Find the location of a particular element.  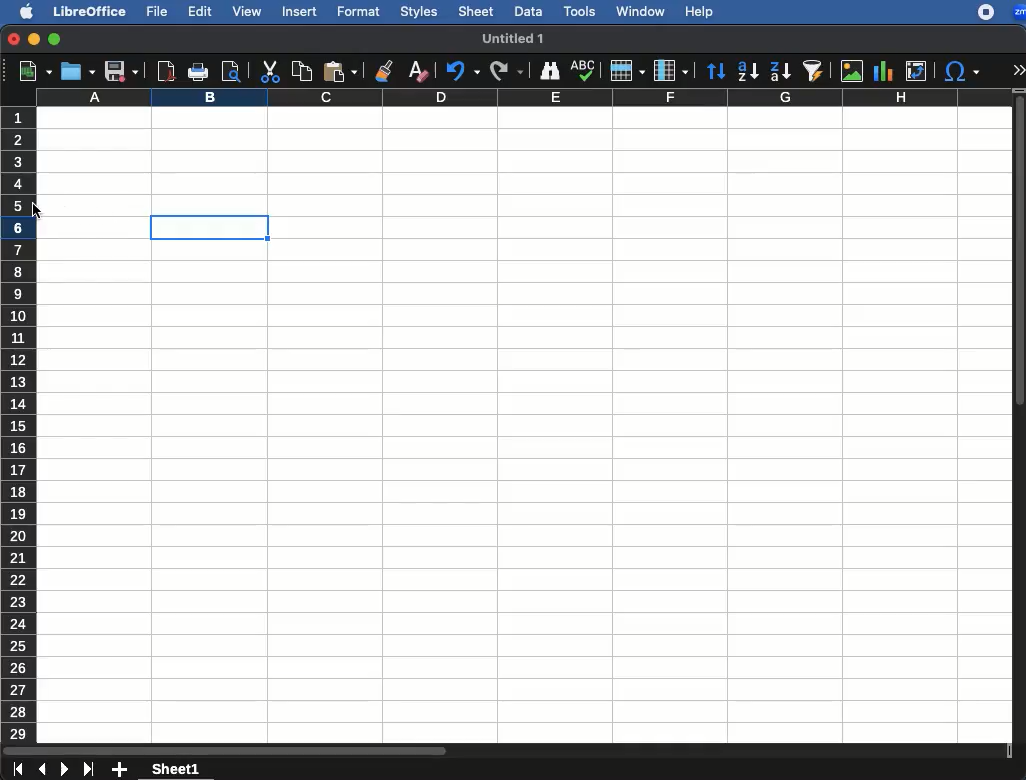

minimize is located at coordinates (33, 39).